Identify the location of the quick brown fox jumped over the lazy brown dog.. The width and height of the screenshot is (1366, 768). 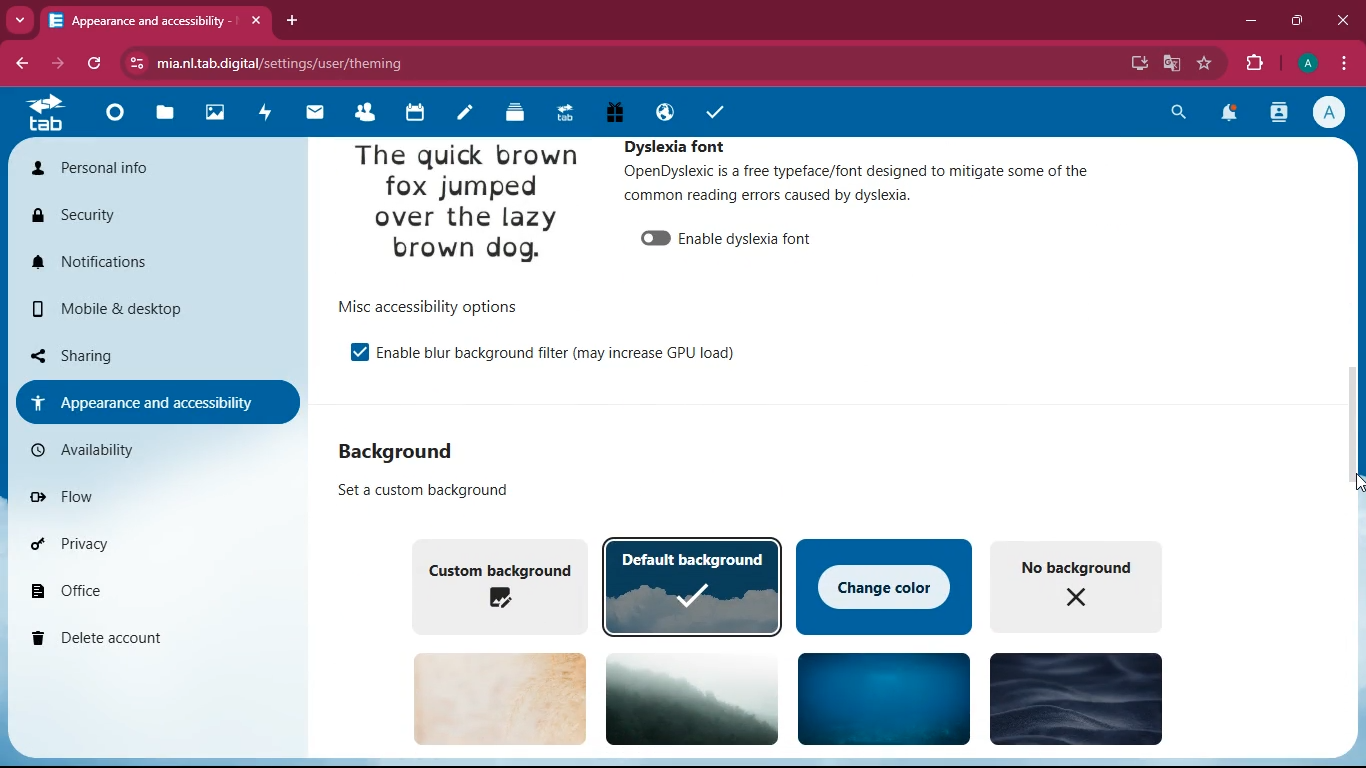
(467, 207).